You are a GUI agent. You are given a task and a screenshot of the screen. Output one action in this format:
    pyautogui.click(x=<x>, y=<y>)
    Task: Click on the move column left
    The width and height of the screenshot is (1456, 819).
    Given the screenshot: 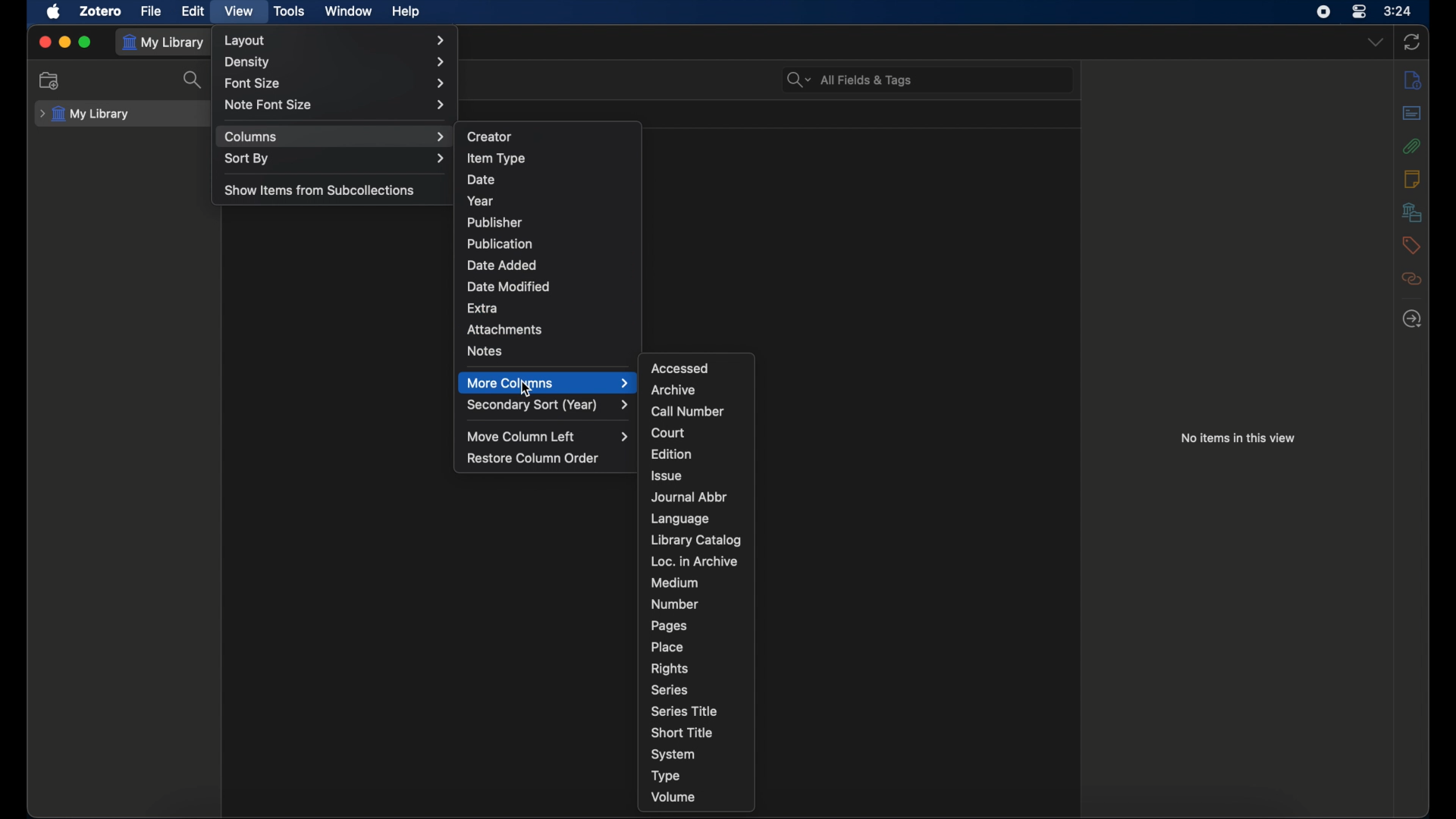 What is the action you would take?
    pyautogui.click(x=547, y=437)
    